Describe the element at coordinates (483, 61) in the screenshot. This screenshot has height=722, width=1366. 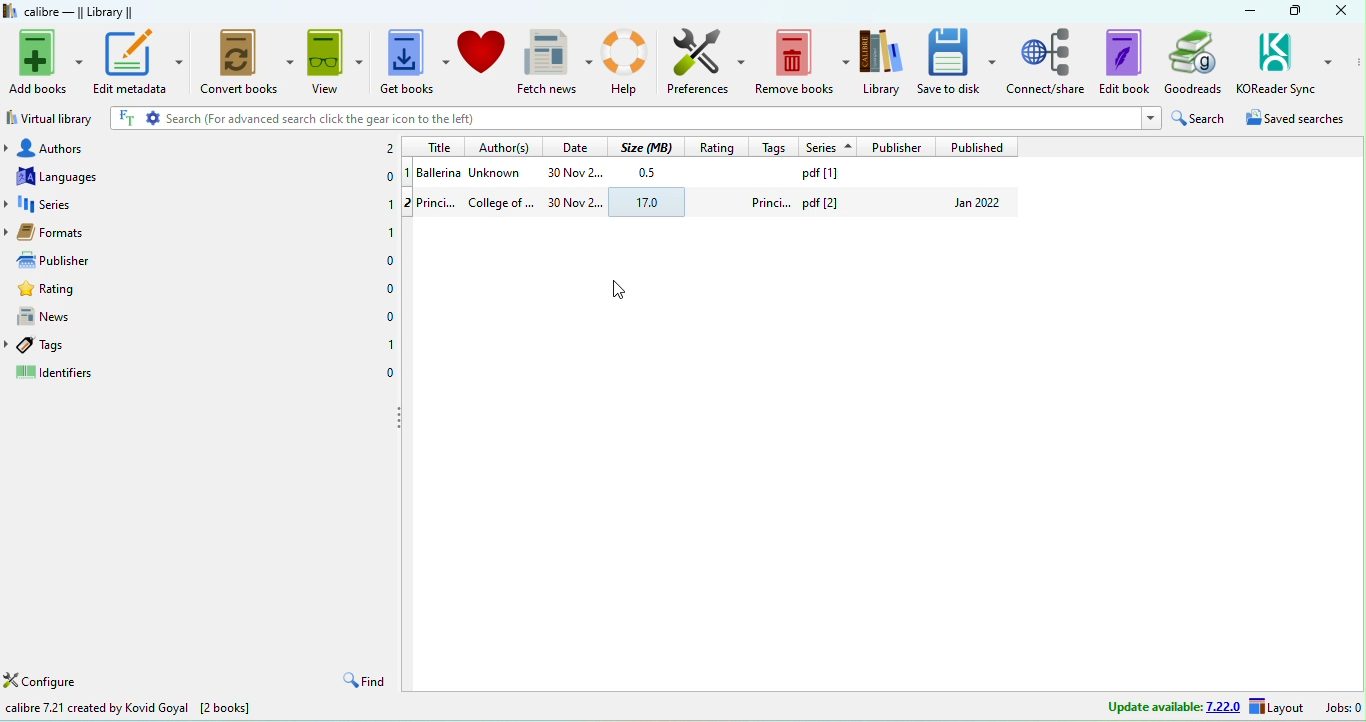
I see `donate` at that location.